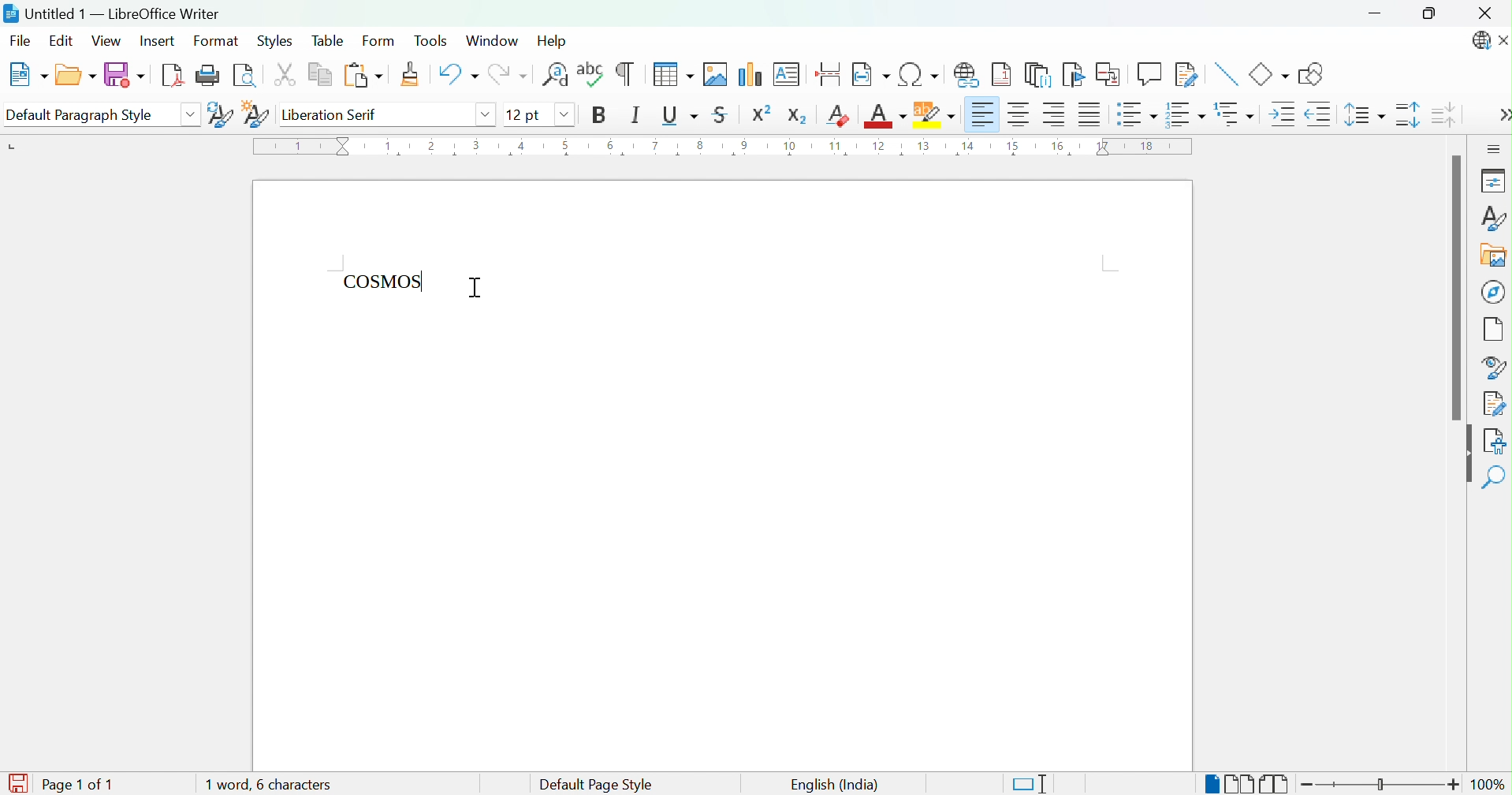  Describe the element at coordinates (1268, 74) in the screenshot. I see `Basic Shapes` at that location.